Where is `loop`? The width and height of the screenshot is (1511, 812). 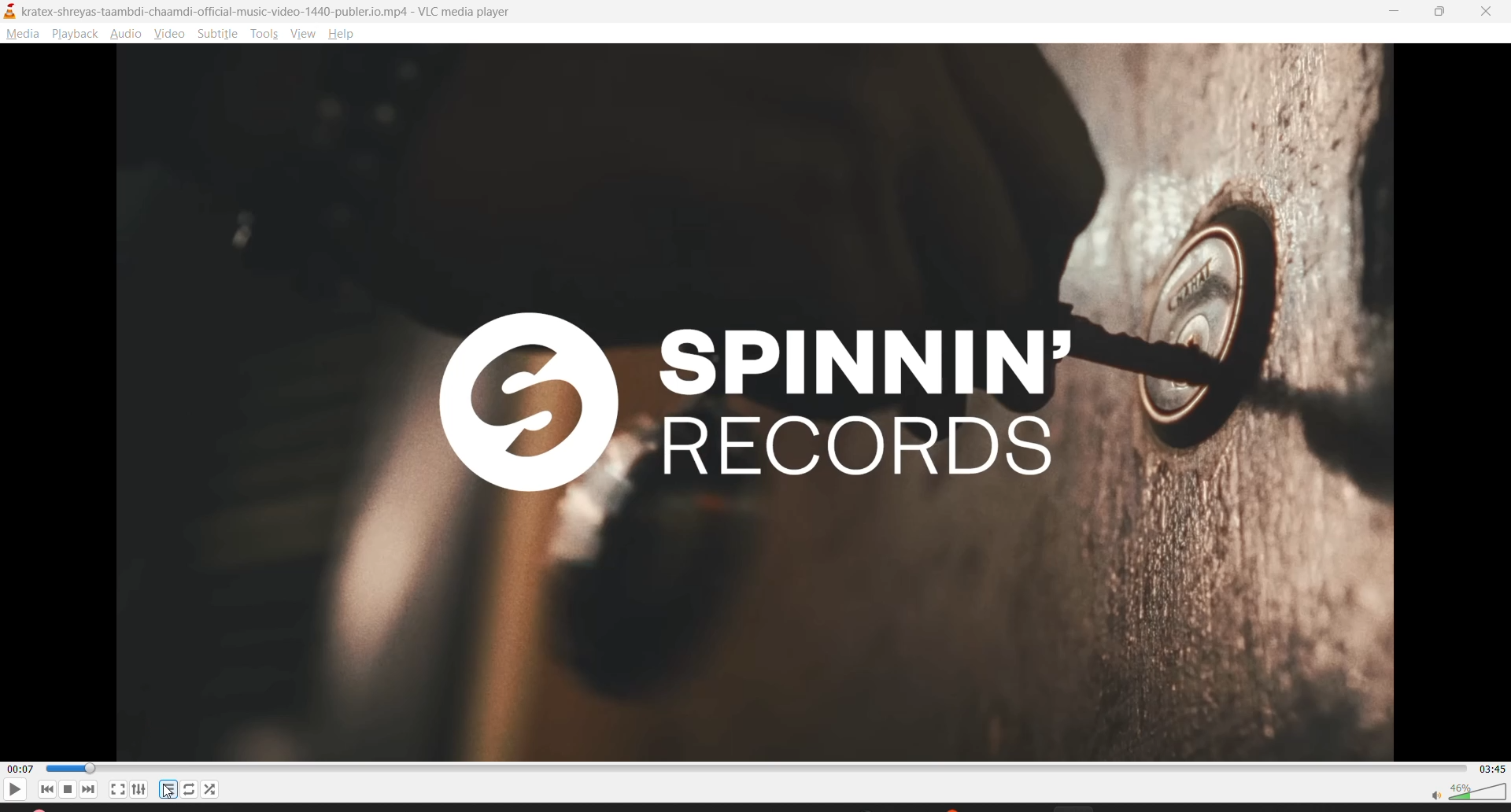 loop is located at coordinates (191, 789).